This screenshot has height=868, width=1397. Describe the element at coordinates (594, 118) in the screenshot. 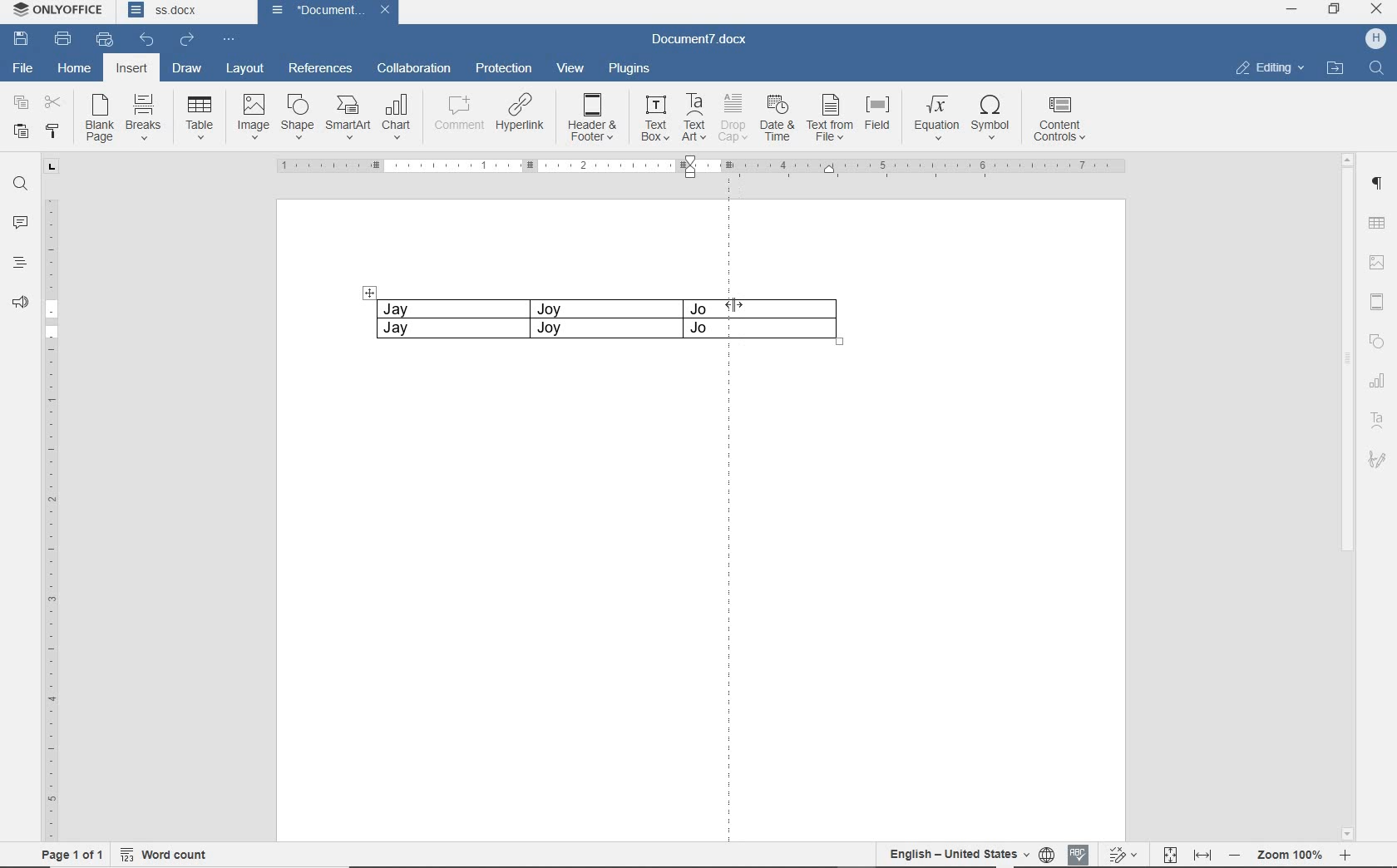

I see `HEADER & FOOTER` at that location.